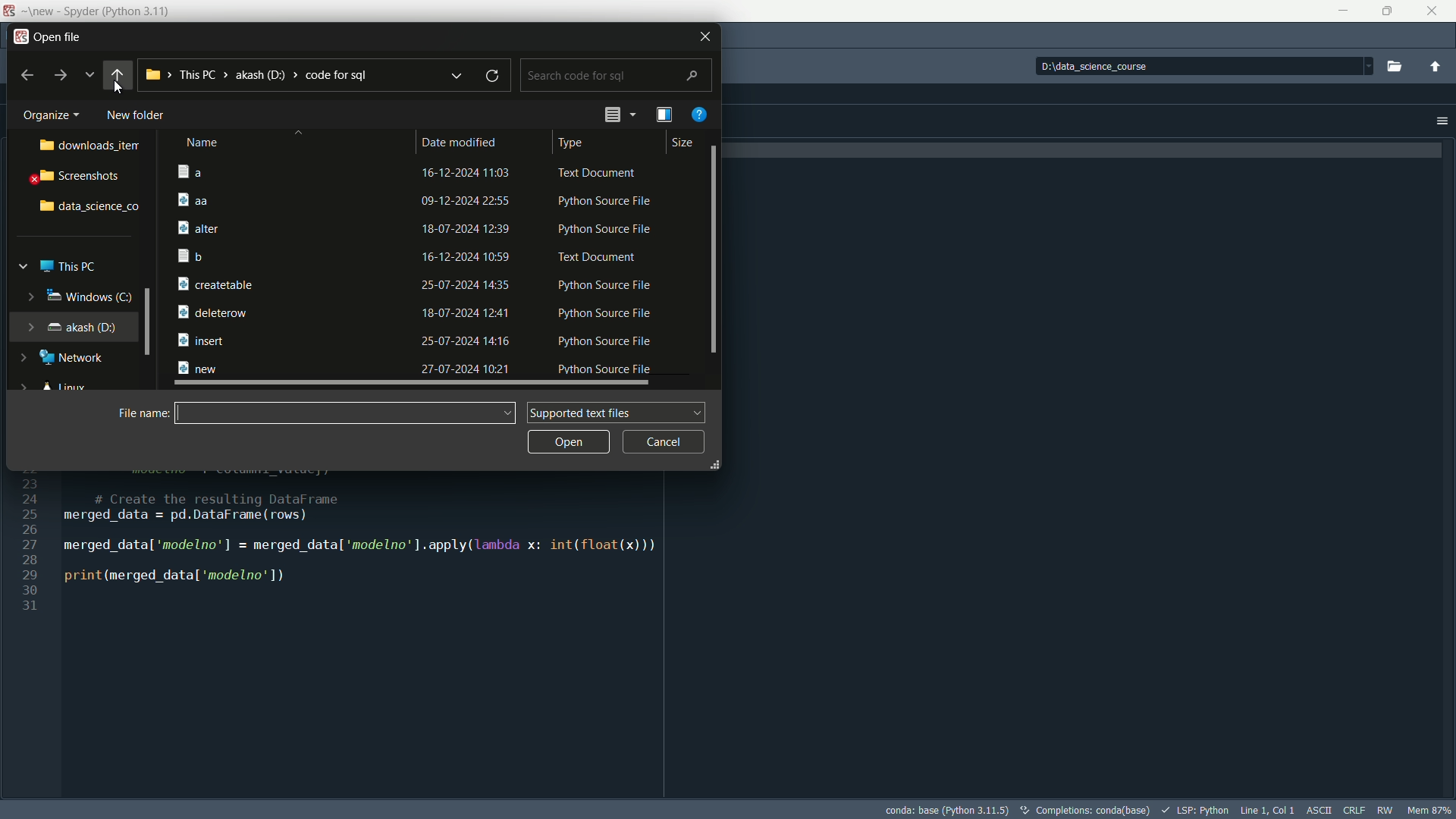 The width and height of the screenshot is (1456, 819). I want to click on expand, so click(29, 296).